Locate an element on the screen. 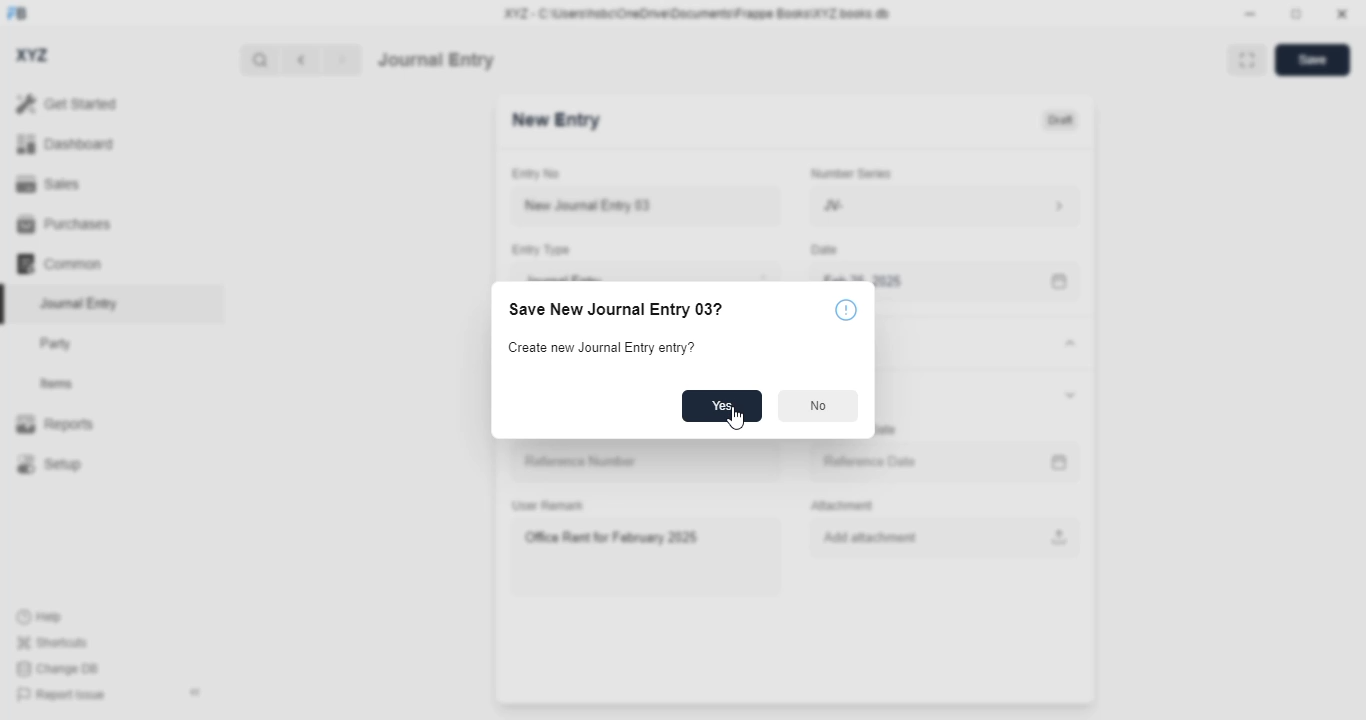  minimize is located at coordinates (1251, 13).